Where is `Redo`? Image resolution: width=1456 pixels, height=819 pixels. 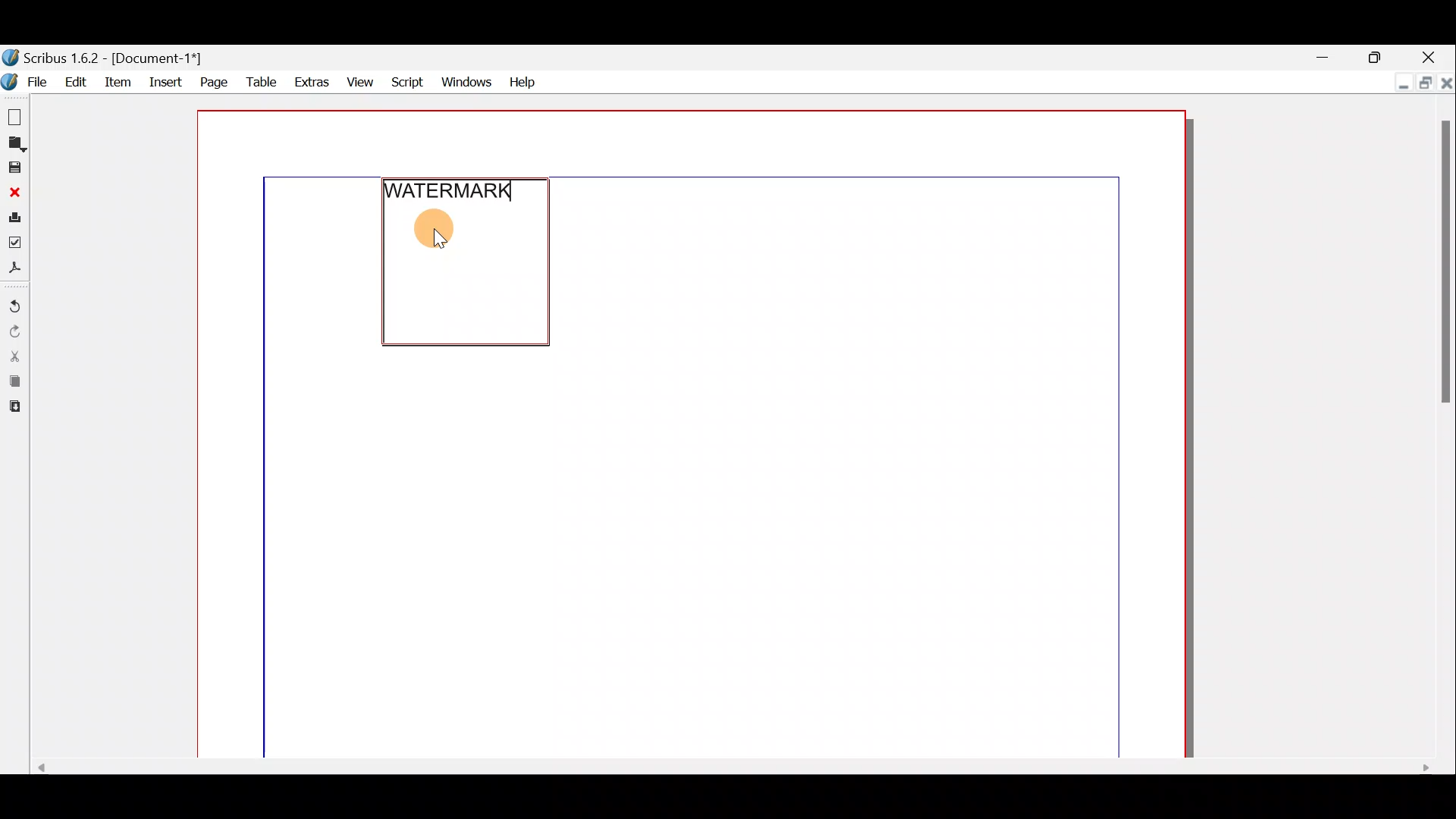 Redo is located at coordinates (14, 332).